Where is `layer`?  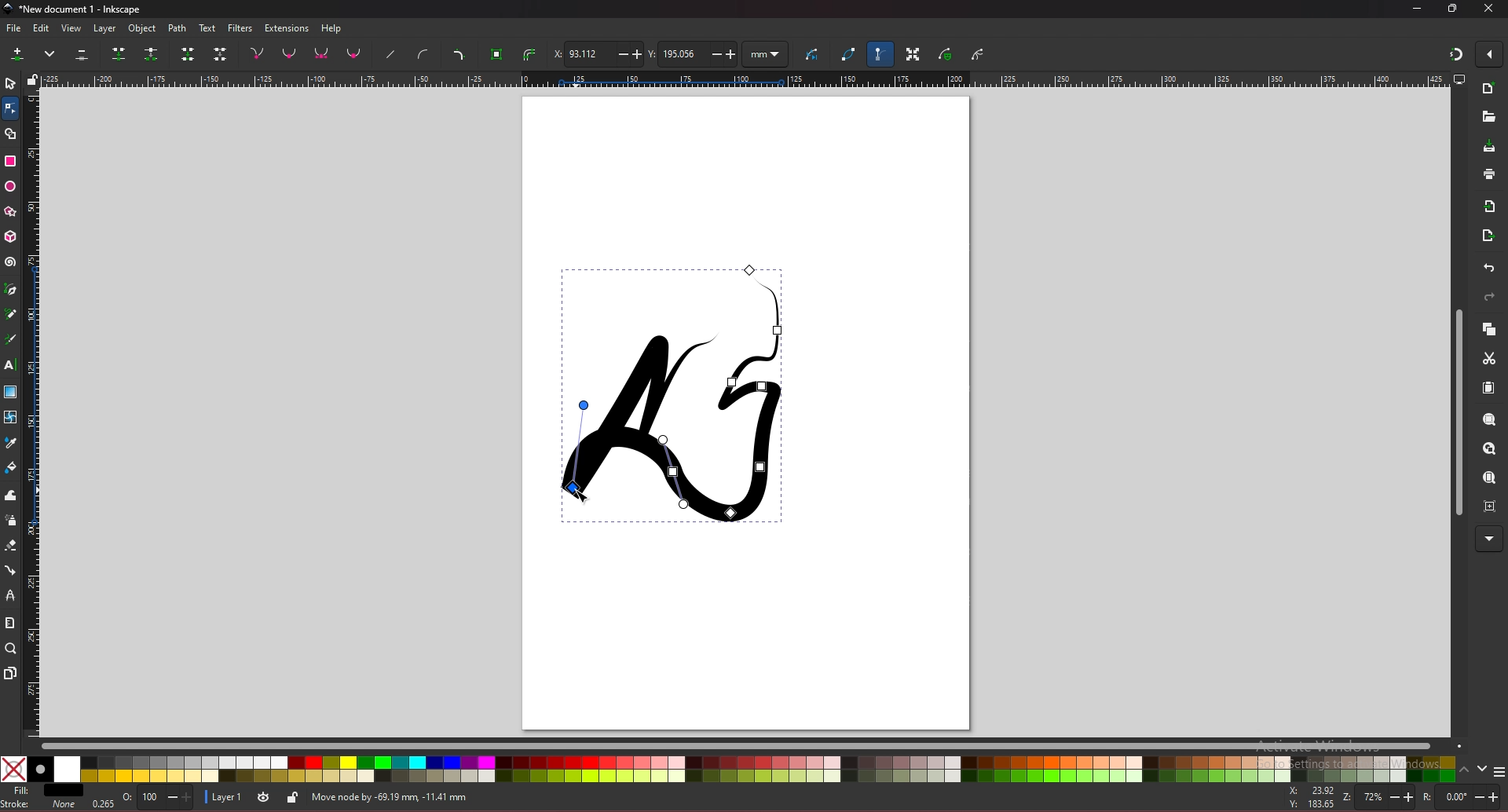
layer is located at coordinates (225, 797).